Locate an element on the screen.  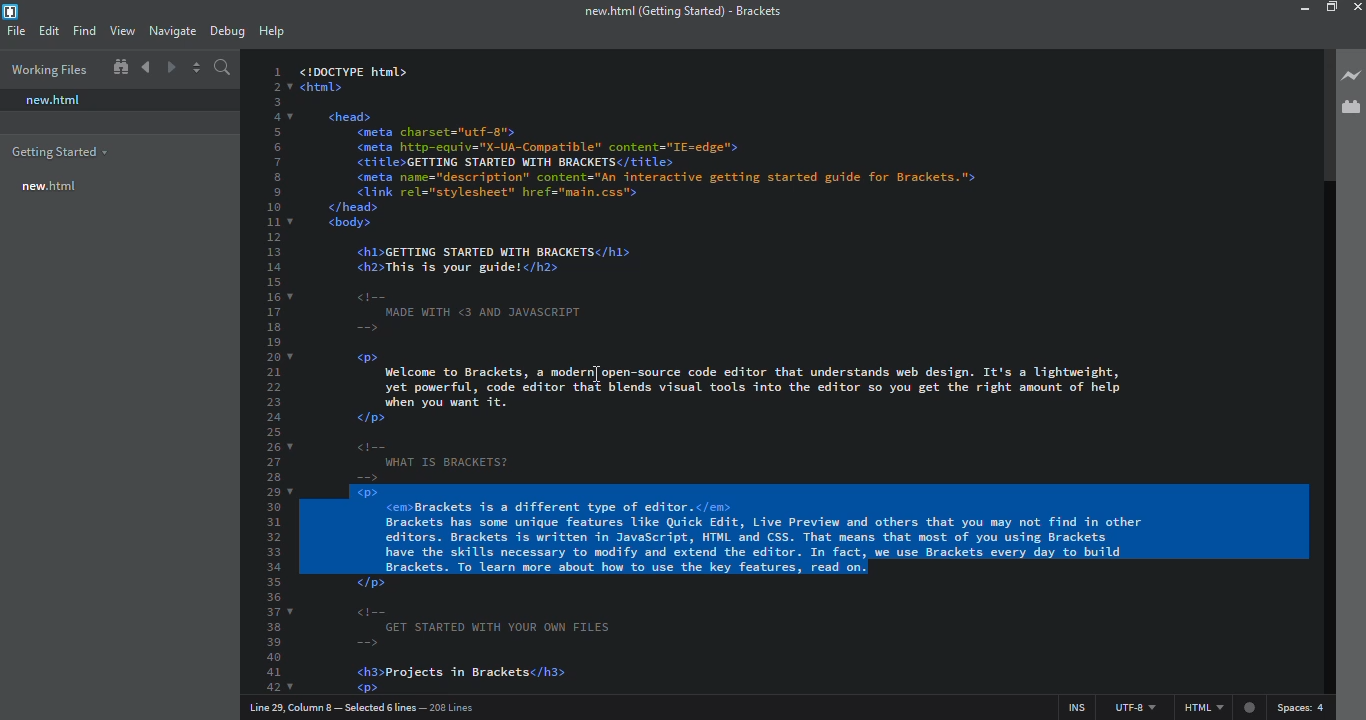
new is located at coordinates (57, 100).